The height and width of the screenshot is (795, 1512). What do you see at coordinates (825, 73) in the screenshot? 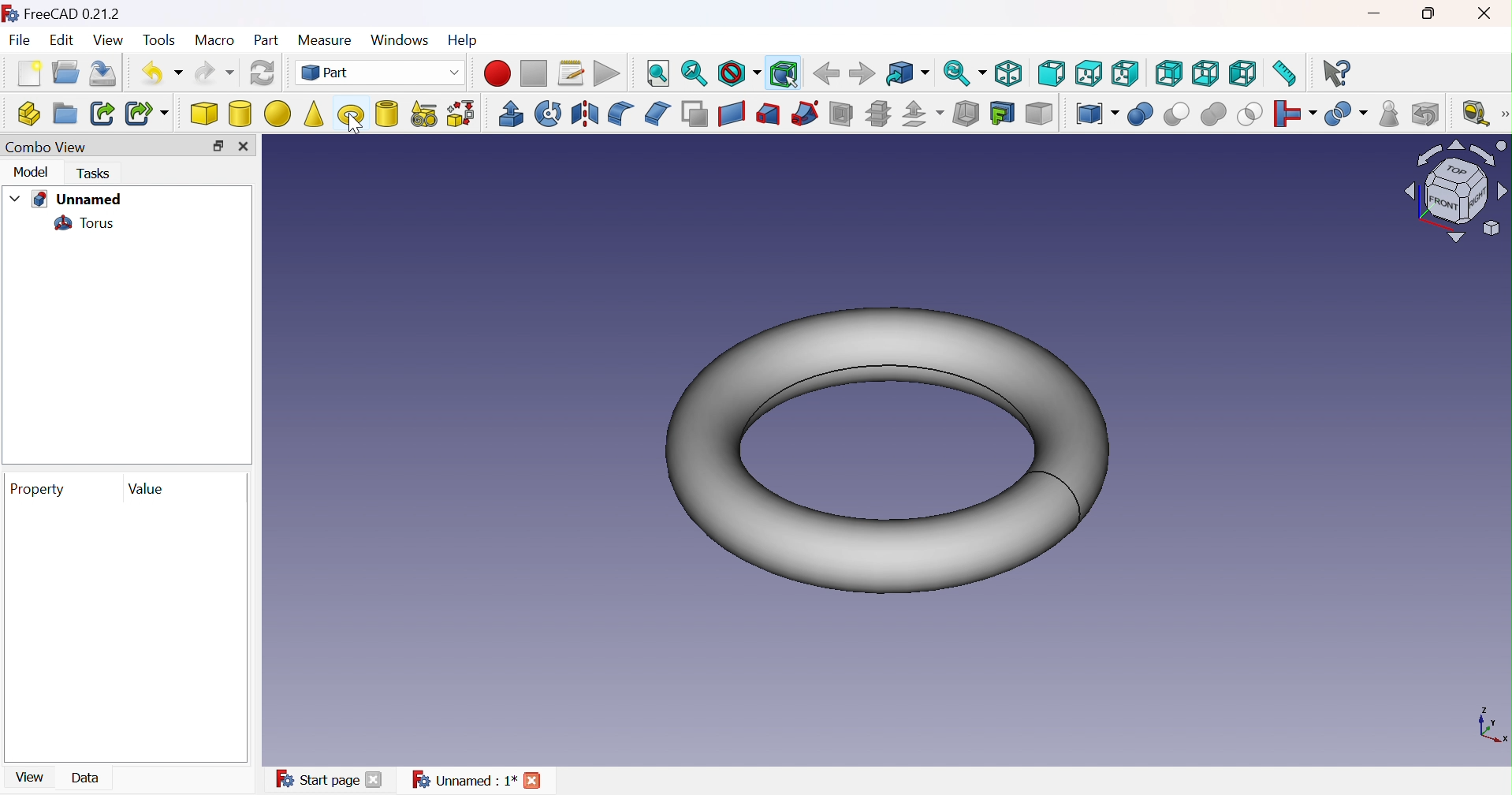
I see `Back` at bounding box center [825, 73].